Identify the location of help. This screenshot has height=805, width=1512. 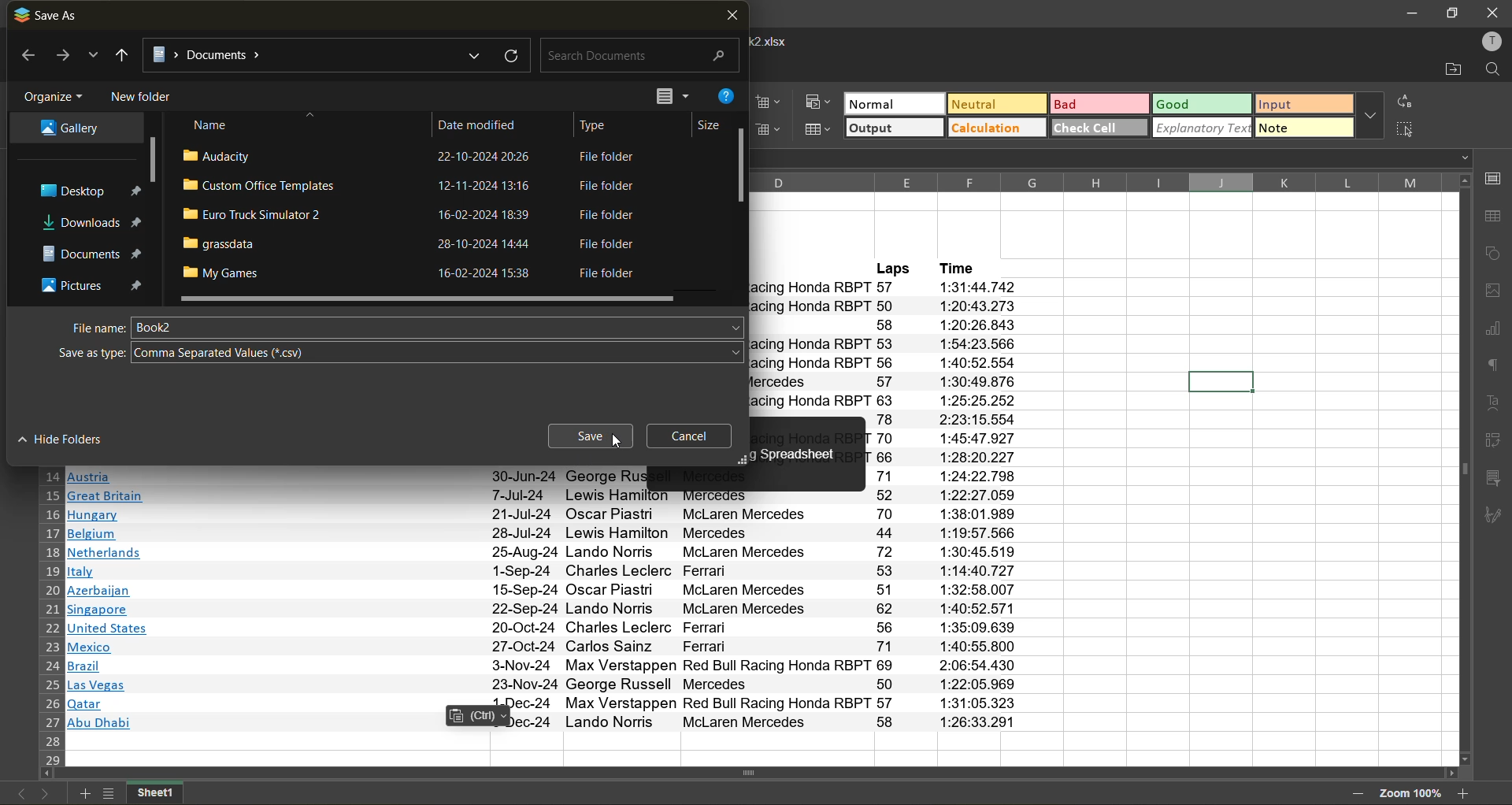
(729, 98).